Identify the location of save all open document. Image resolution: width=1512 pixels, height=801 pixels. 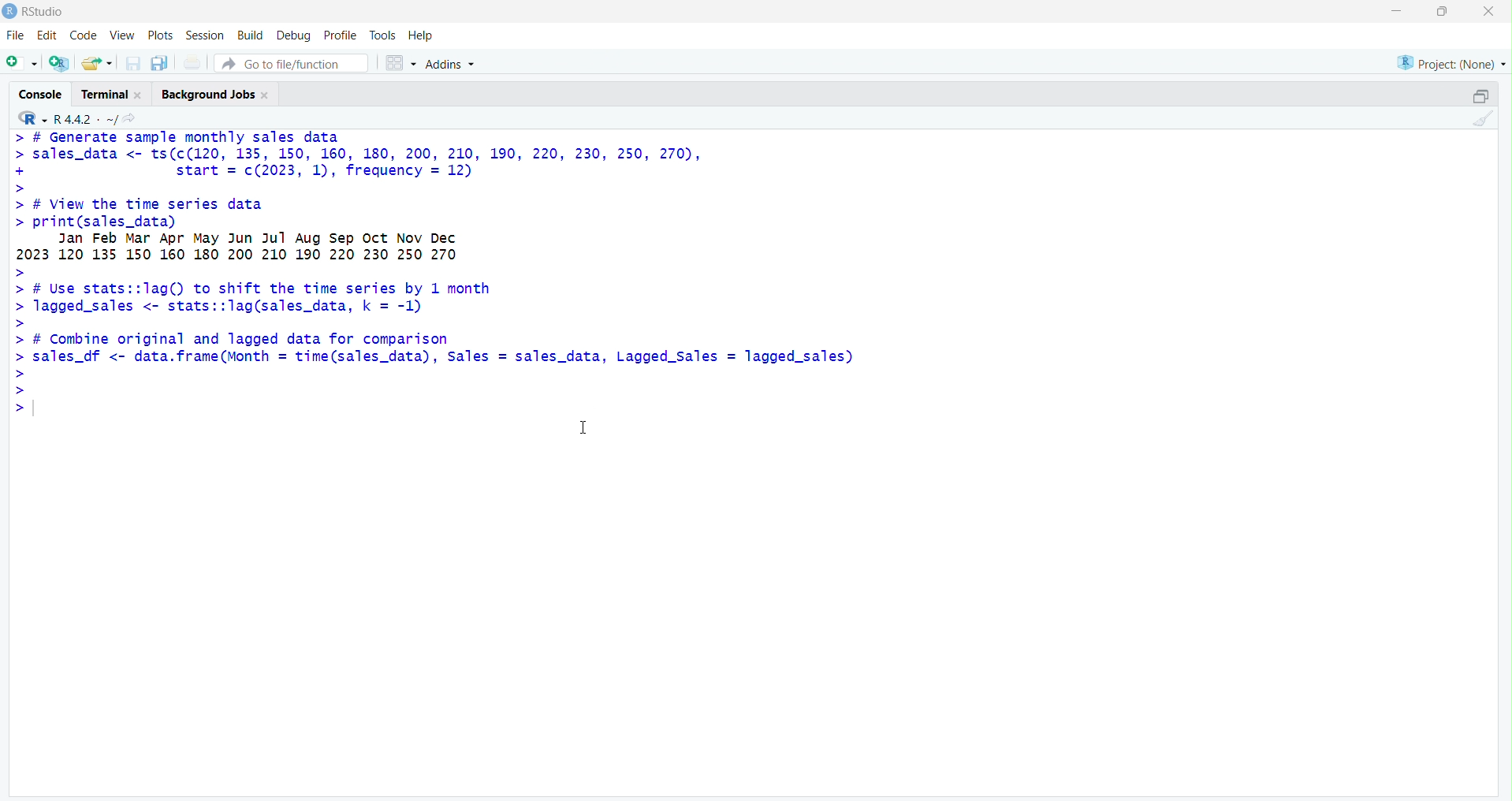
(160, 64).